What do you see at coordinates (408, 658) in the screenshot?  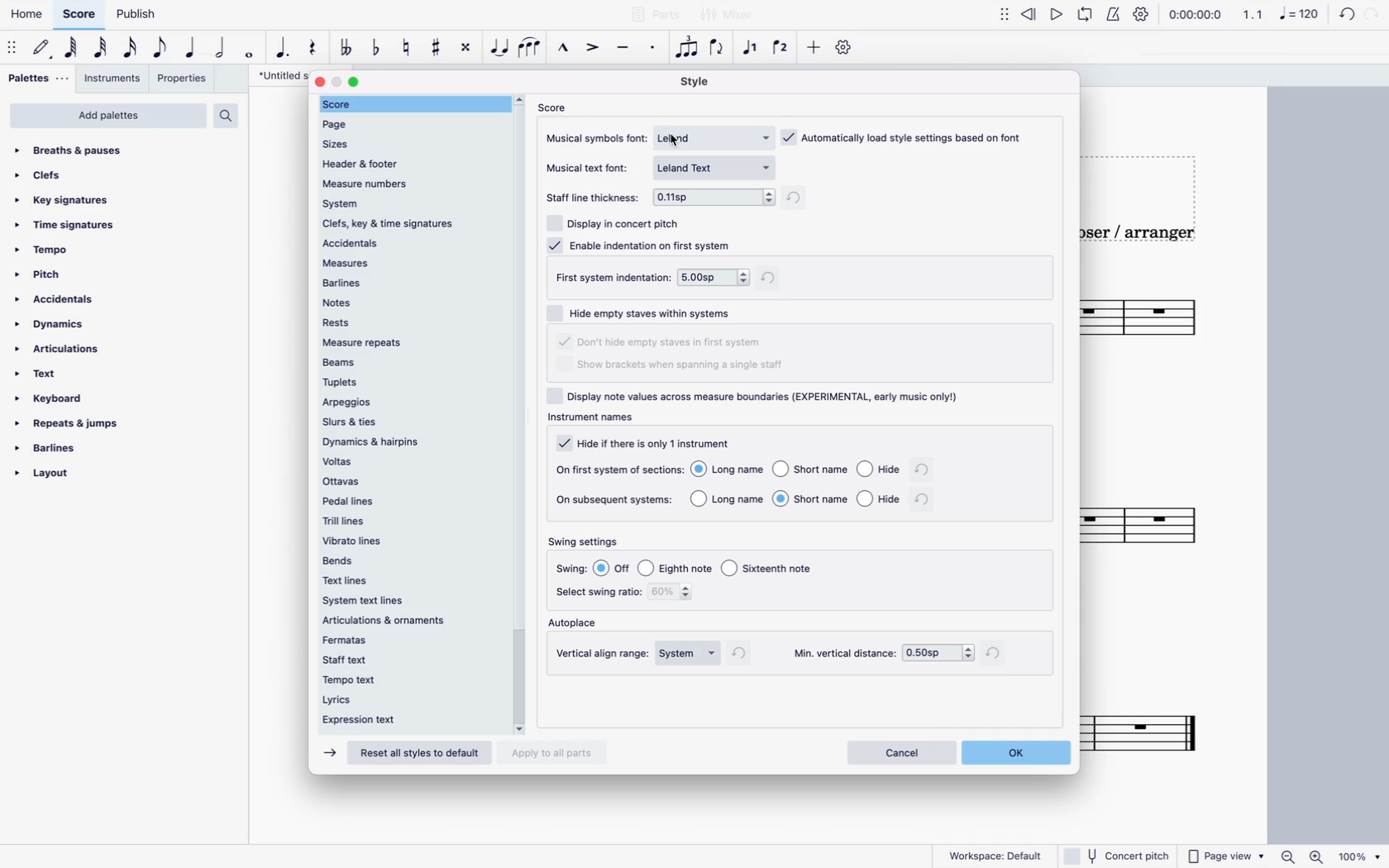 I see `staff text` at bounding box center [408, 658].